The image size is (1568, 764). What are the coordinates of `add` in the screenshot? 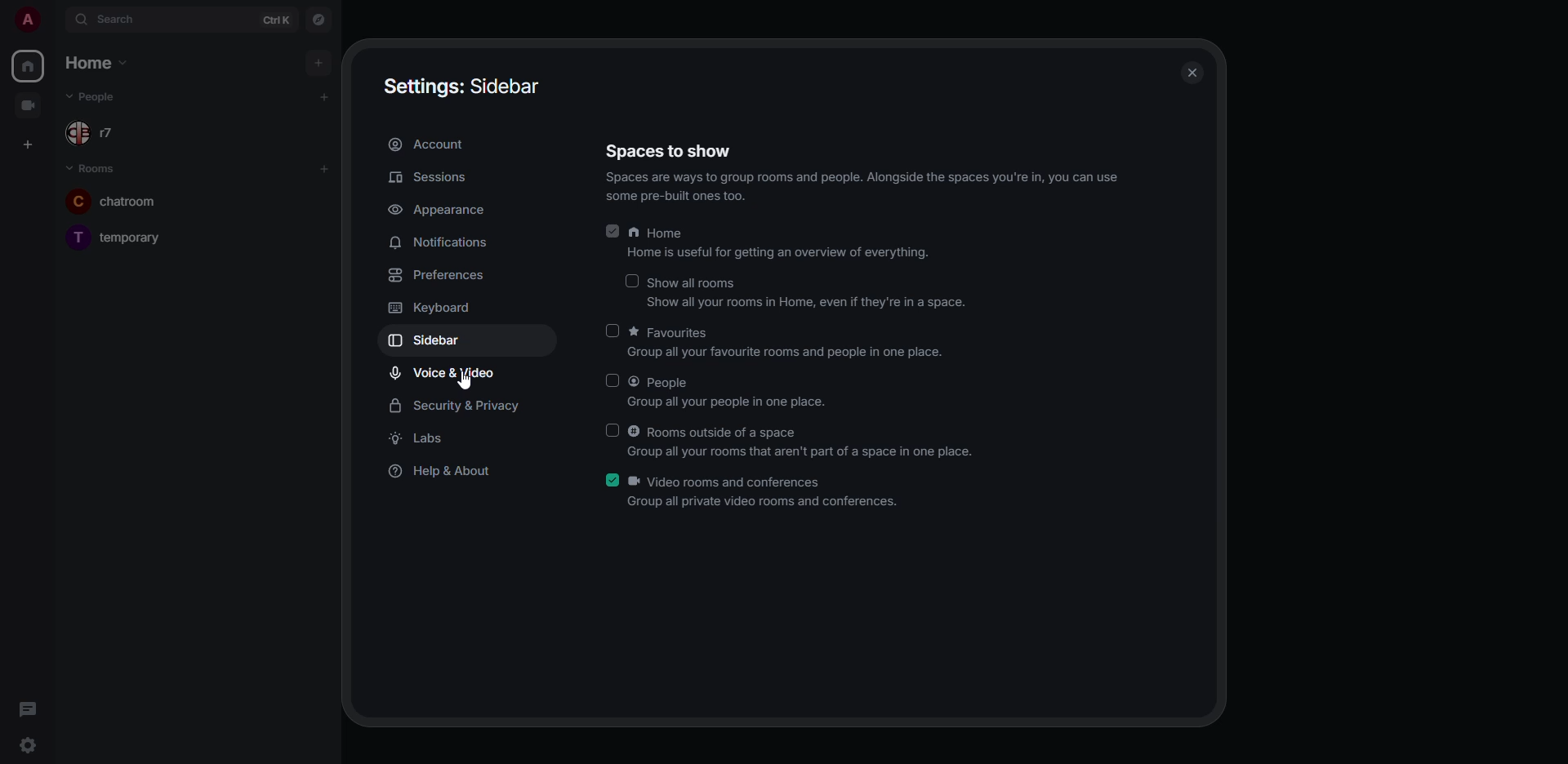 It's located at (326, 96).